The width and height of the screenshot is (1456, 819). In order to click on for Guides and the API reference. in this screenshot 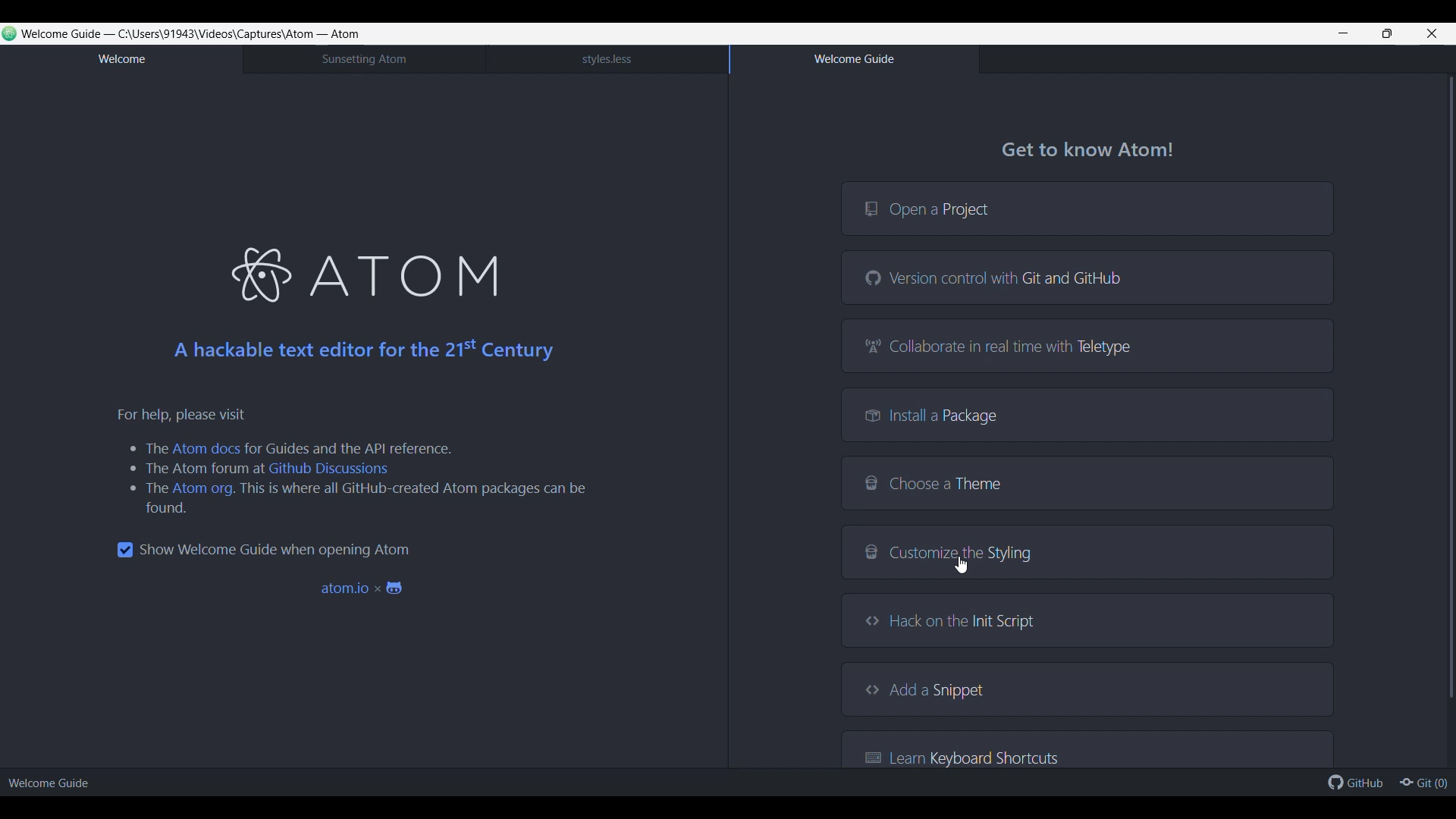, I will do `click(353, 447)`.